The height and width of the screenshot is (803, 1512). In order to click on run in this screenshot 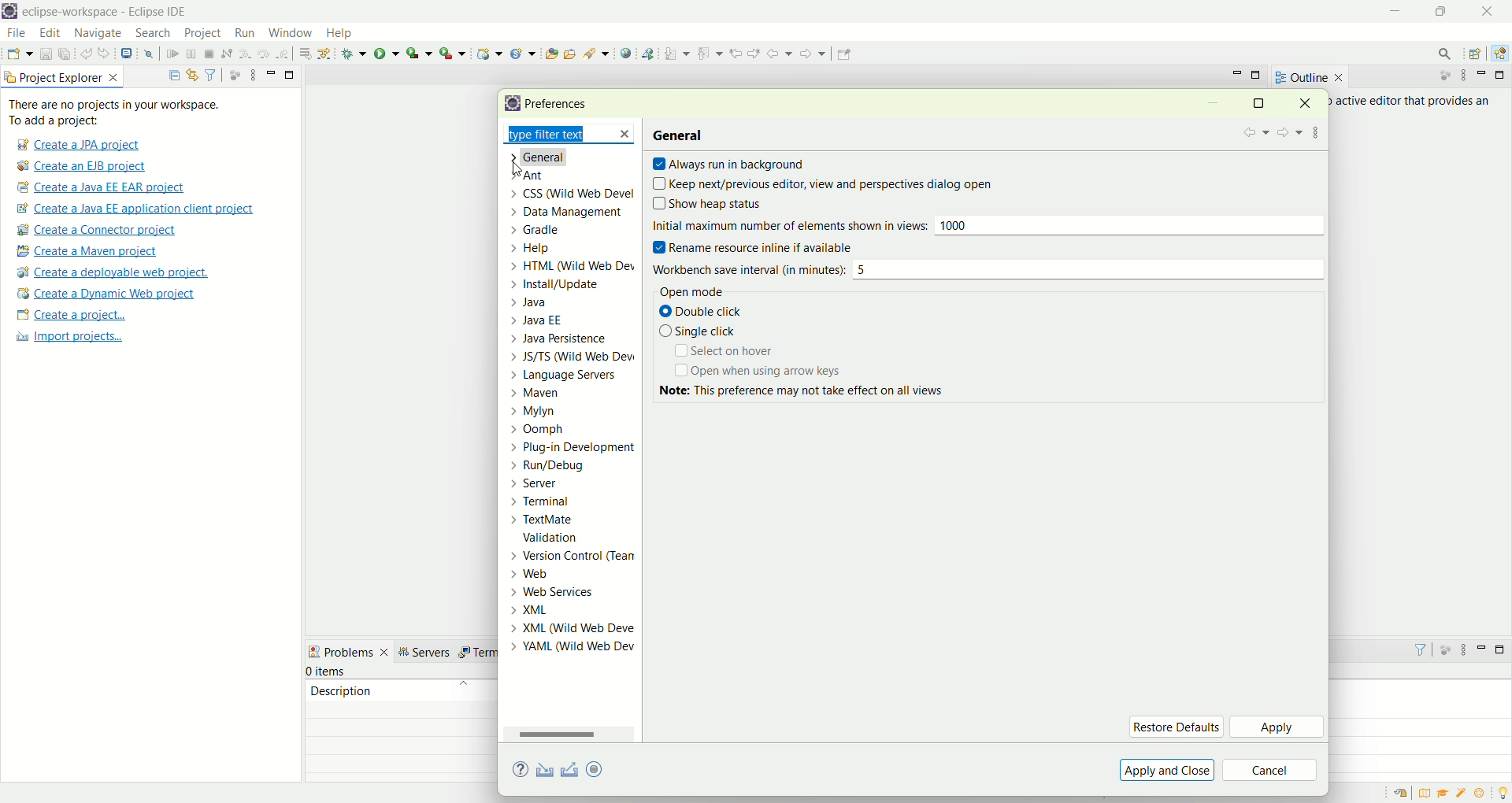, I will do `click(387, 53)`.